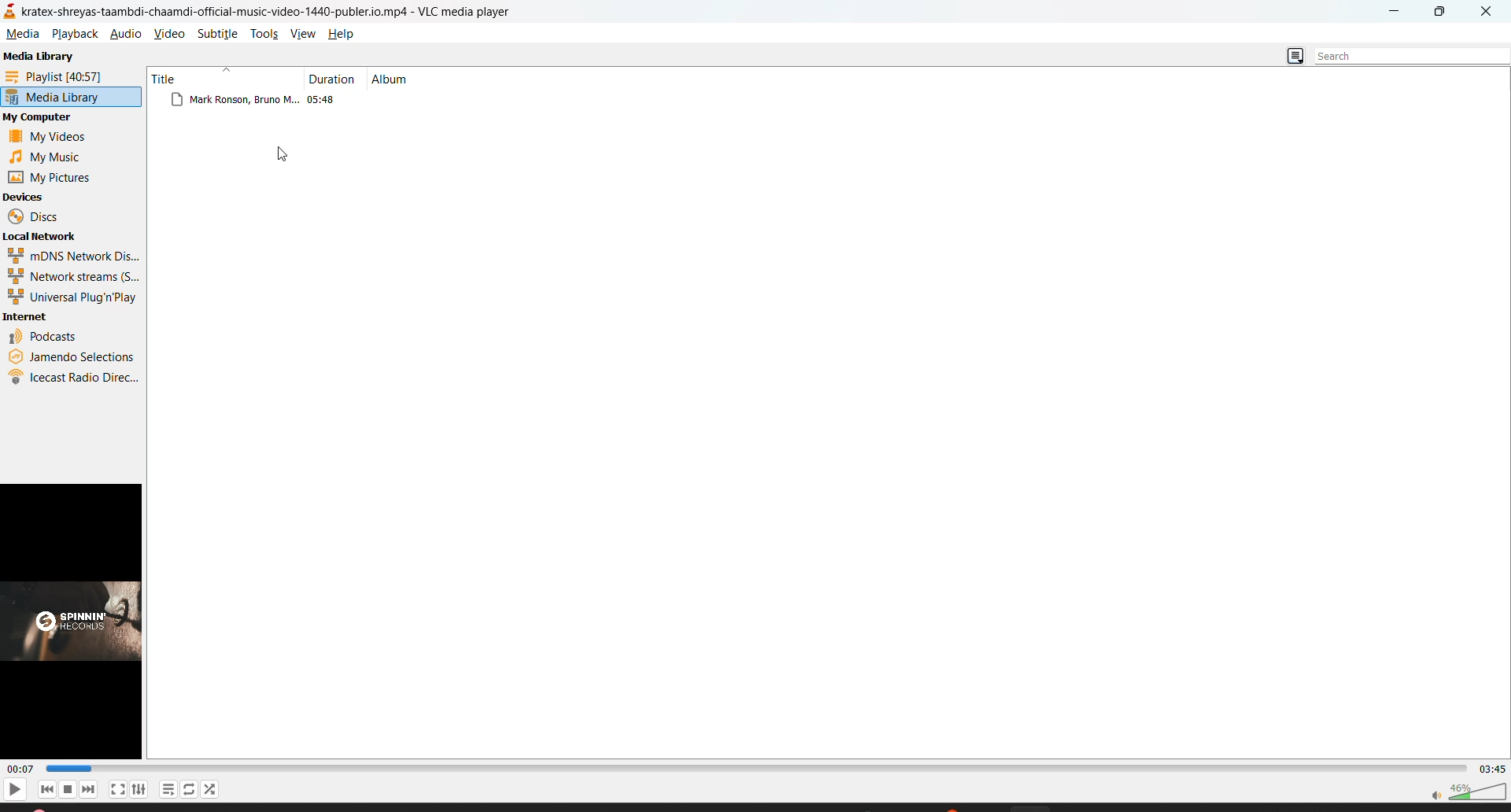 Image resolution: width=1511 pixels, height=812 pixels. Describe the element at coordinates (75, 275) in the screenshot. I see `network streams` at that location.